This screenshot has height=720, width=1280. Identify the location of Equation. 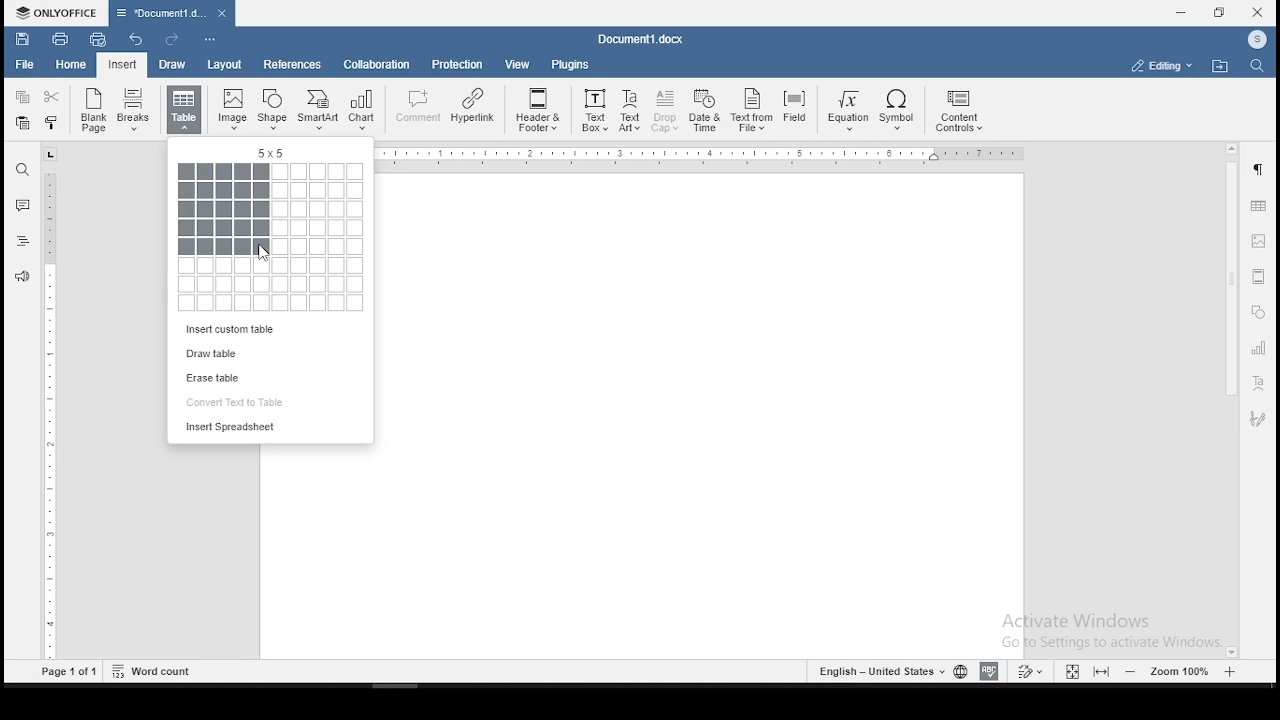
(845, 112).